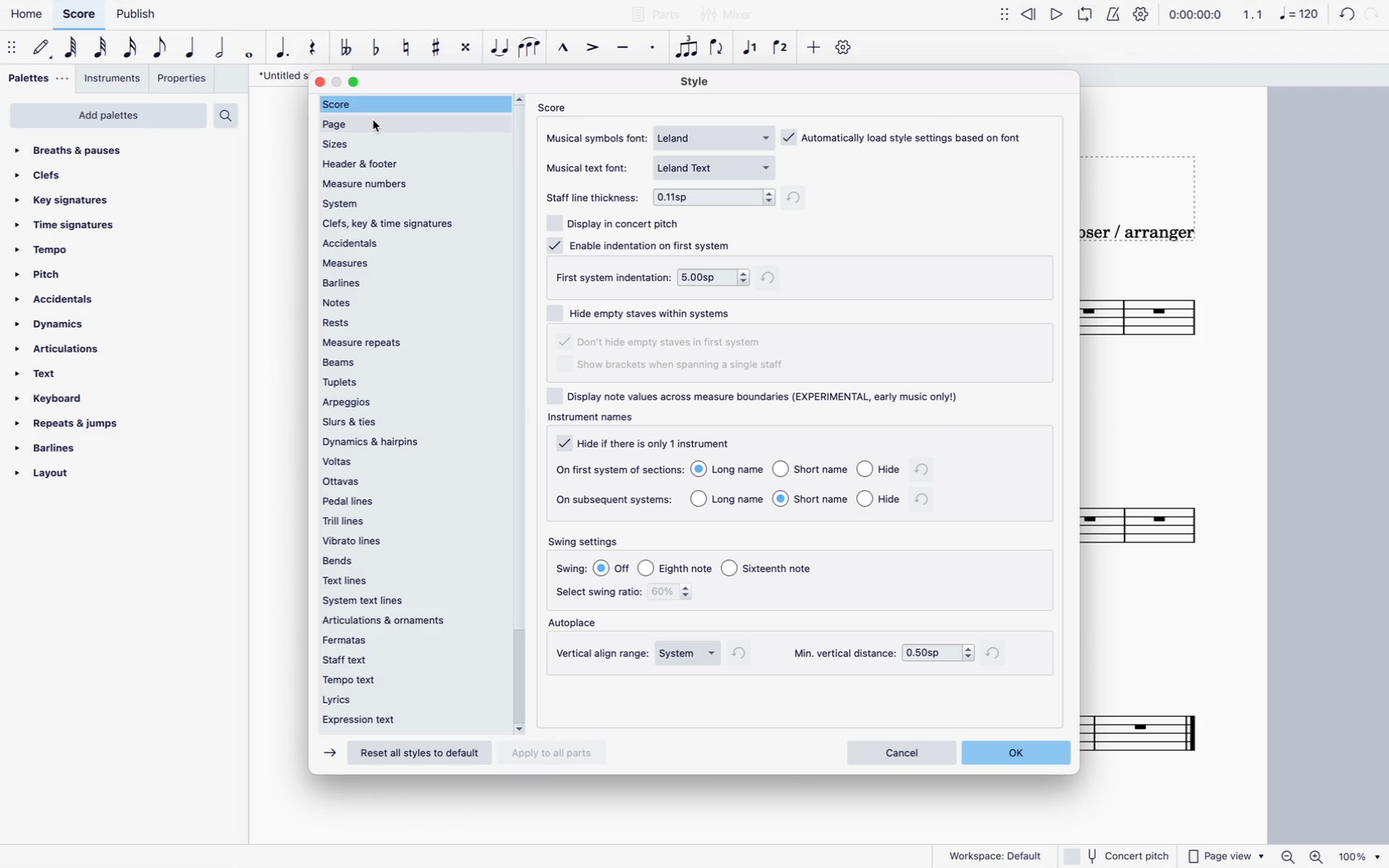  Describe the element at coordinates (318, 81) in the screenshot. I see `close` at that location.